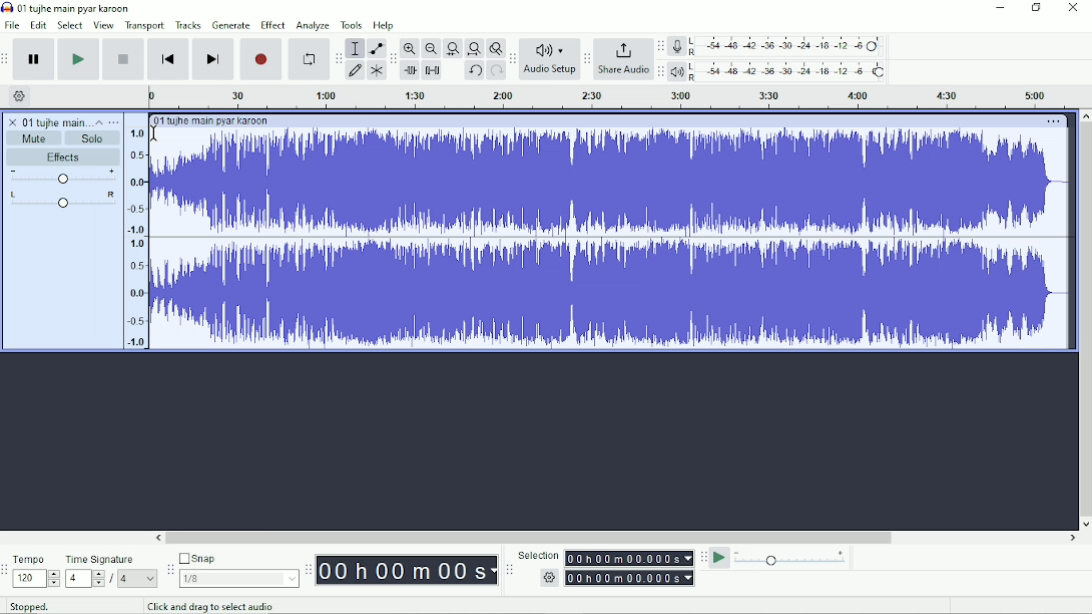  What do you see at coordinates (238, 557) in the screenshot?
I see `Snap` at bounding box center [238, 557].